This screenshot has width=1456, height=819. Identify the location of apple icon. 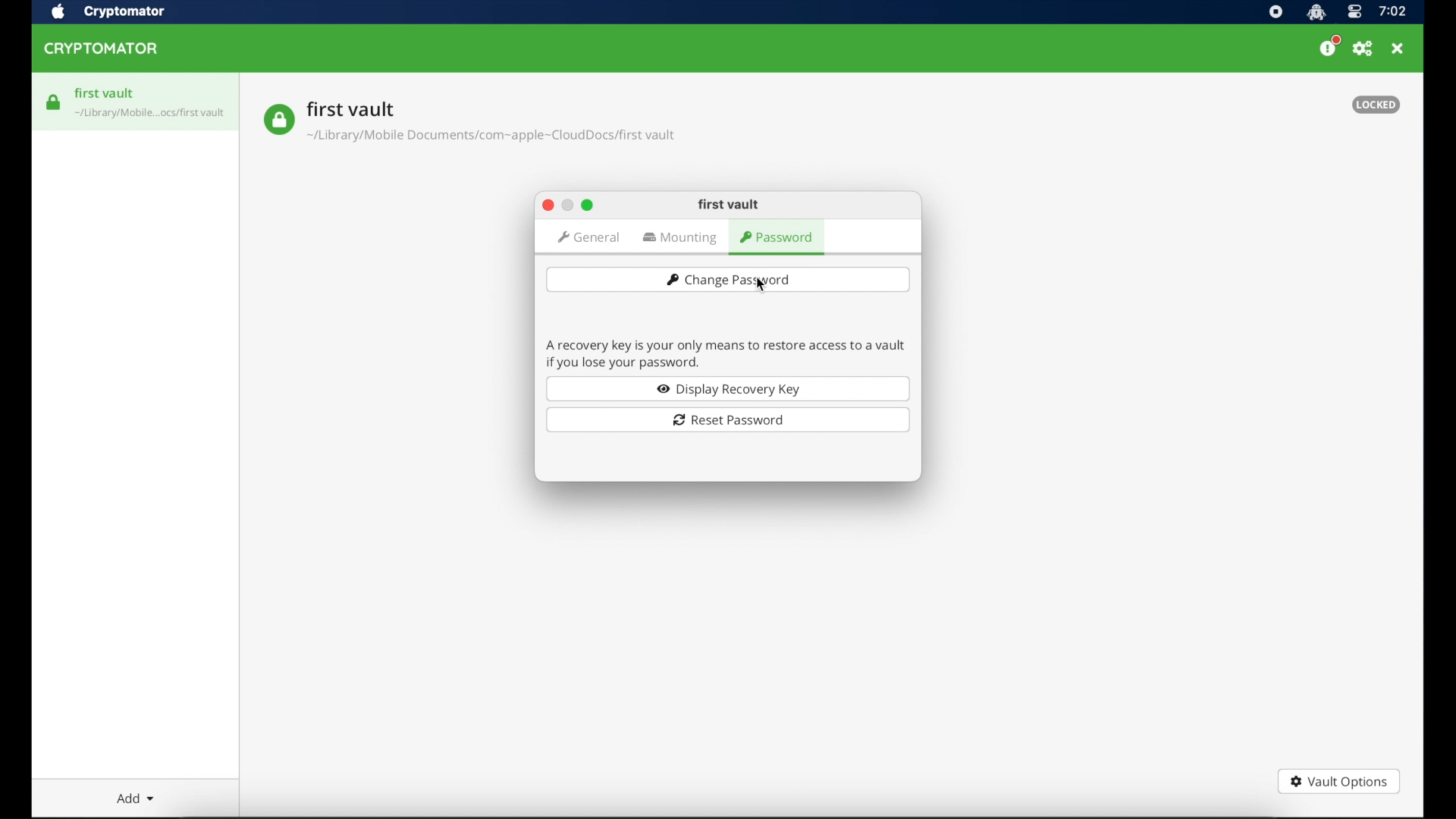
(57, 12).